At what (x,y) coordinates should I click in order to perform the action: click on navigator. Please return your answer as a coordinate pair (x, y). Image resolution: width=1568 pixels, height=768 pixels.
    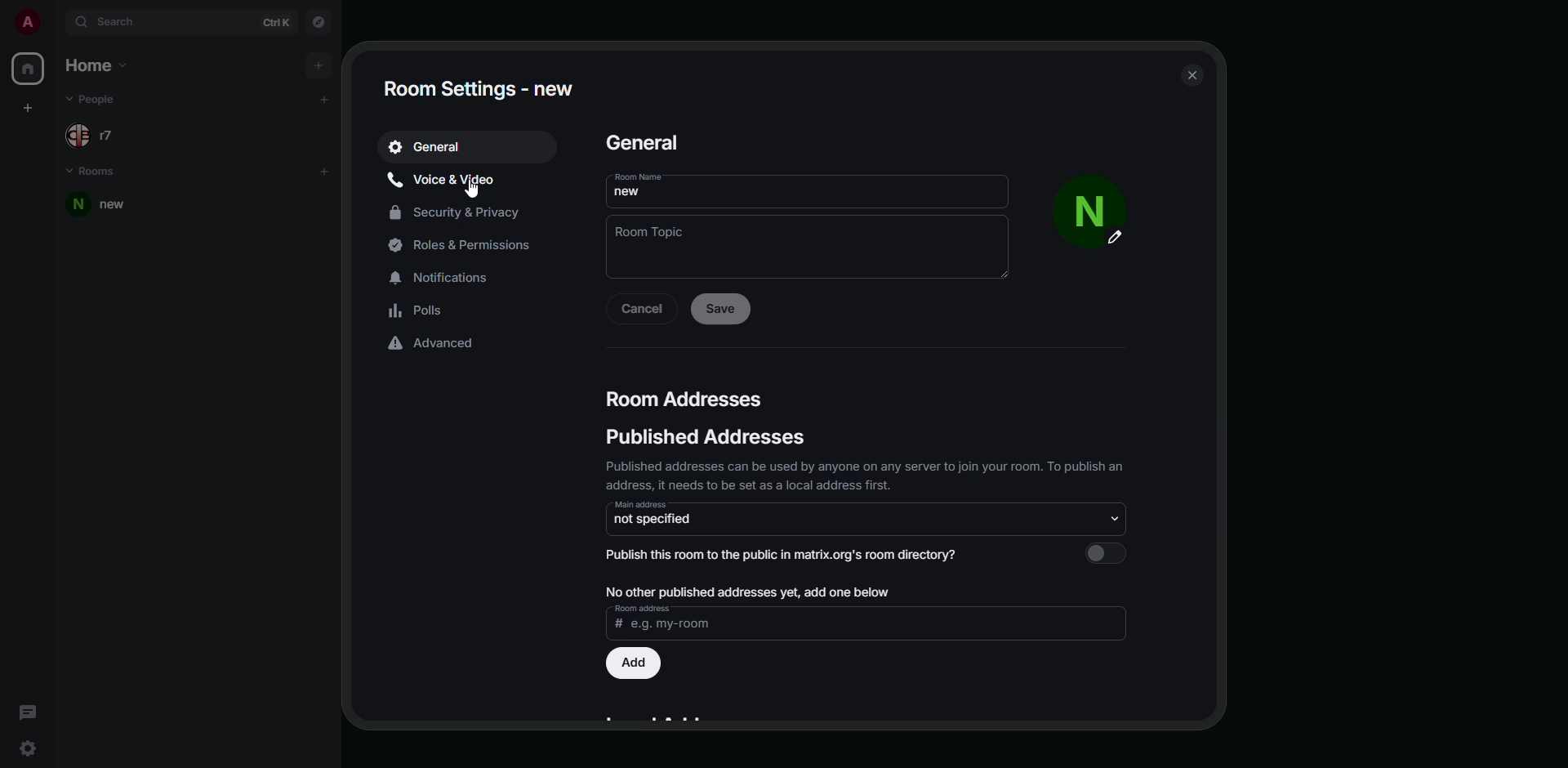
    Looking at the image, I should click on (317, 20).